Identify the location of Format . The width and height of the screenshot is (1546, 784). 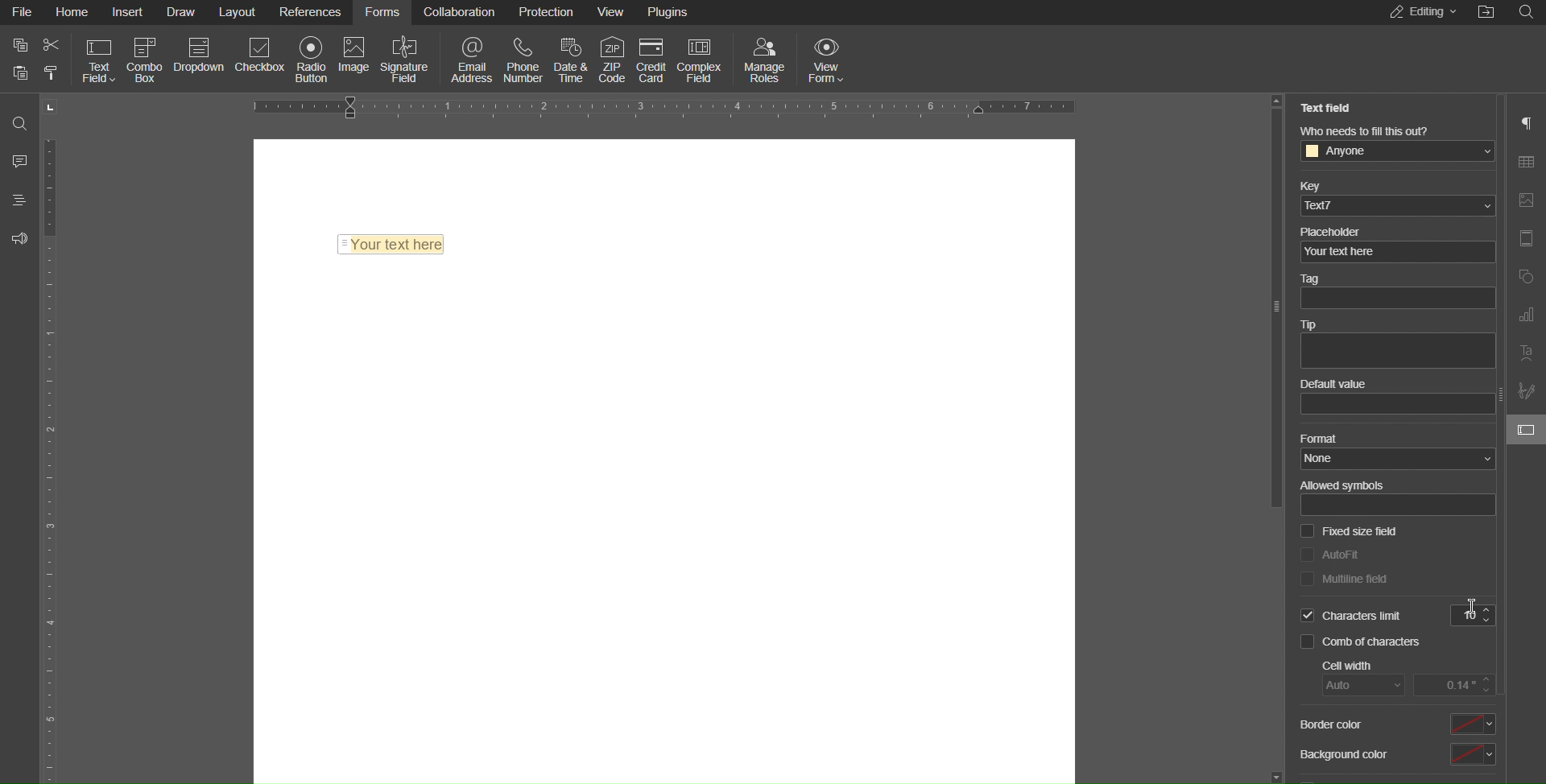
(1394, 452).